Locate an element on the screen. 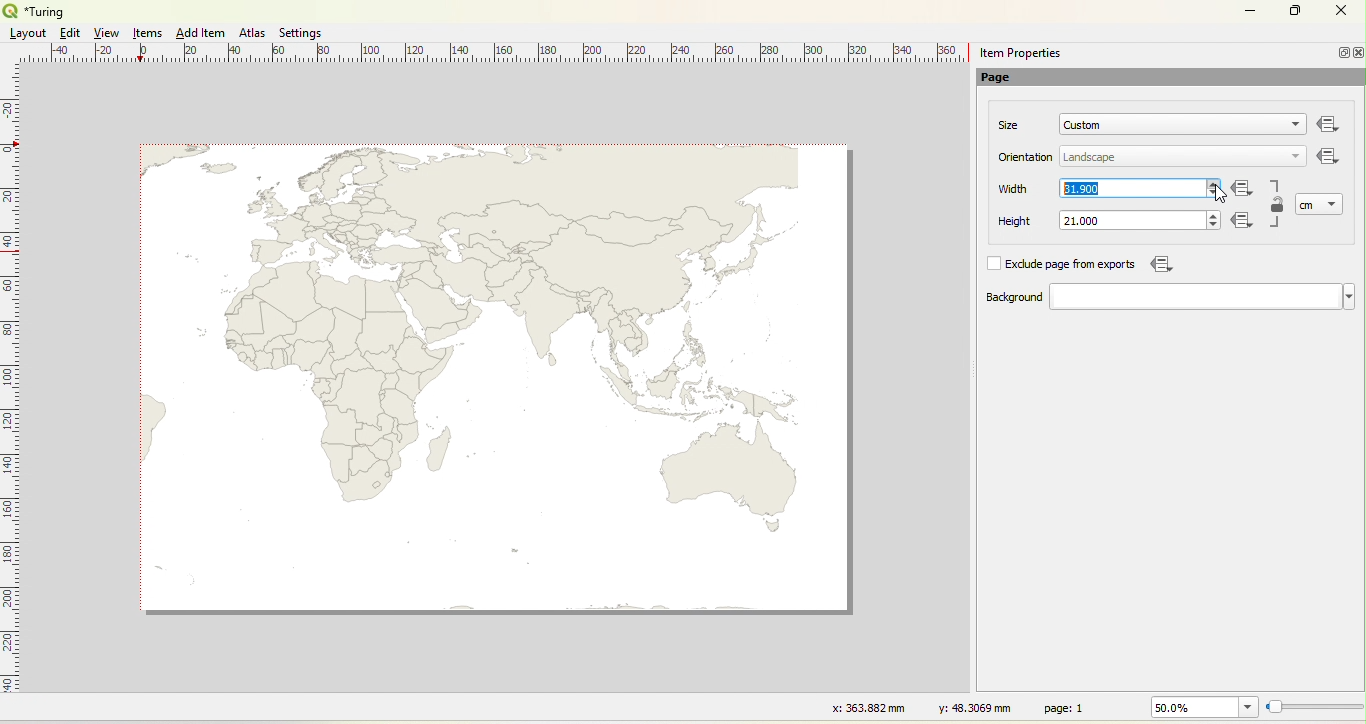  Resize is located at coordinates (1315, 708).